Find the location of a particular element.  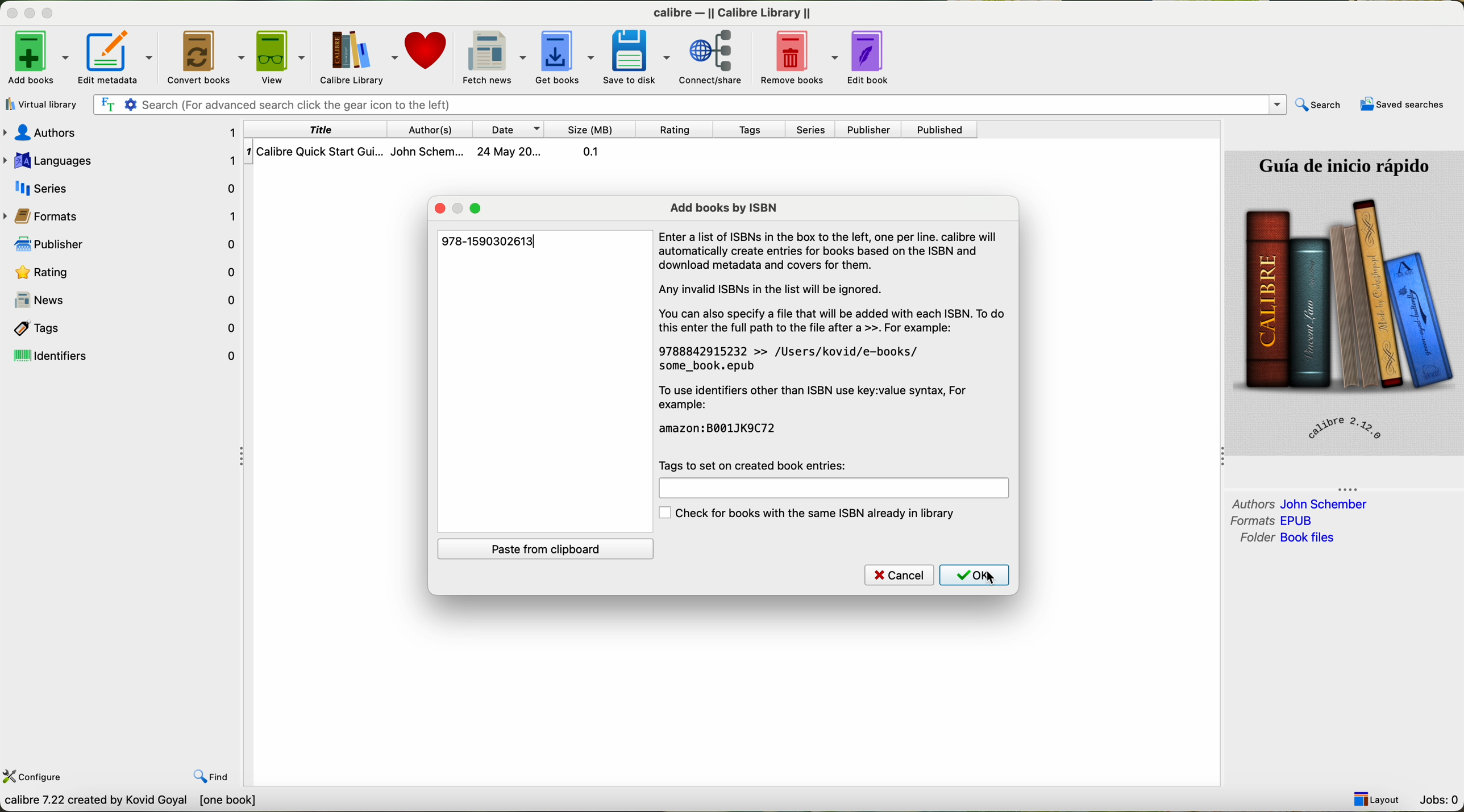

disable buttons is located at coordinates (30, 11).